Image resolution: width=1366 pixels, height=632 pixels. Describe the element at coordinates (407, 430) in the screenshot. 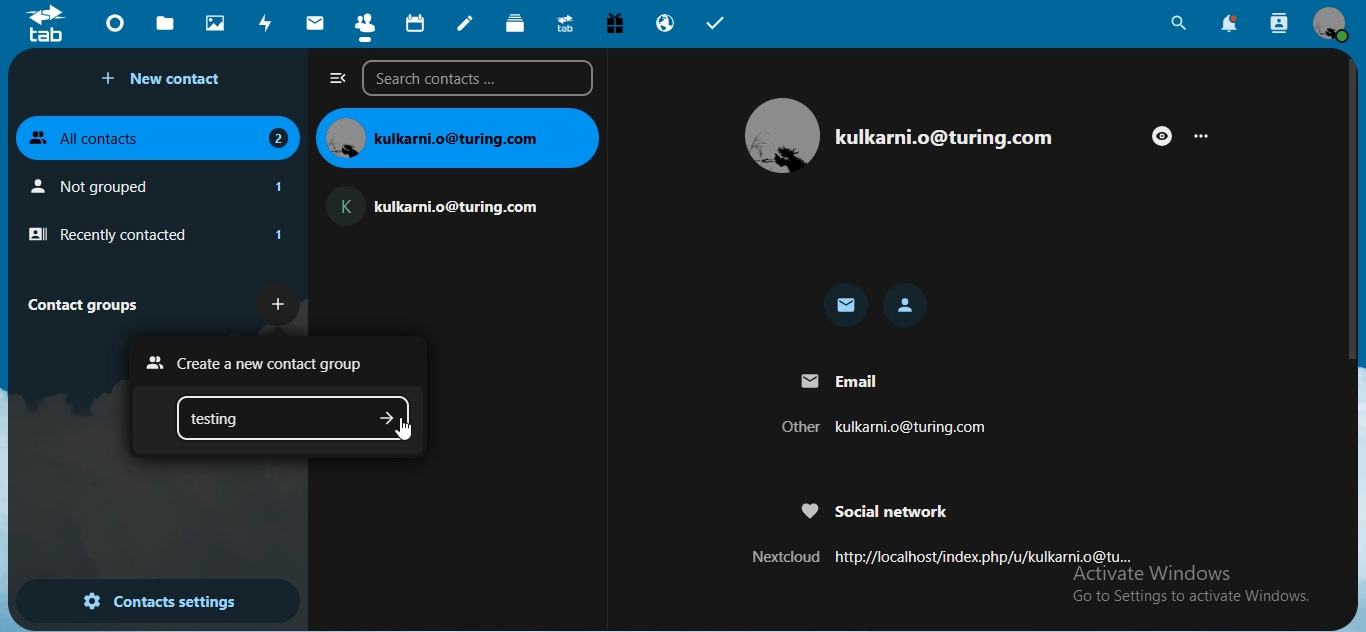

I see `cursor` at that location.